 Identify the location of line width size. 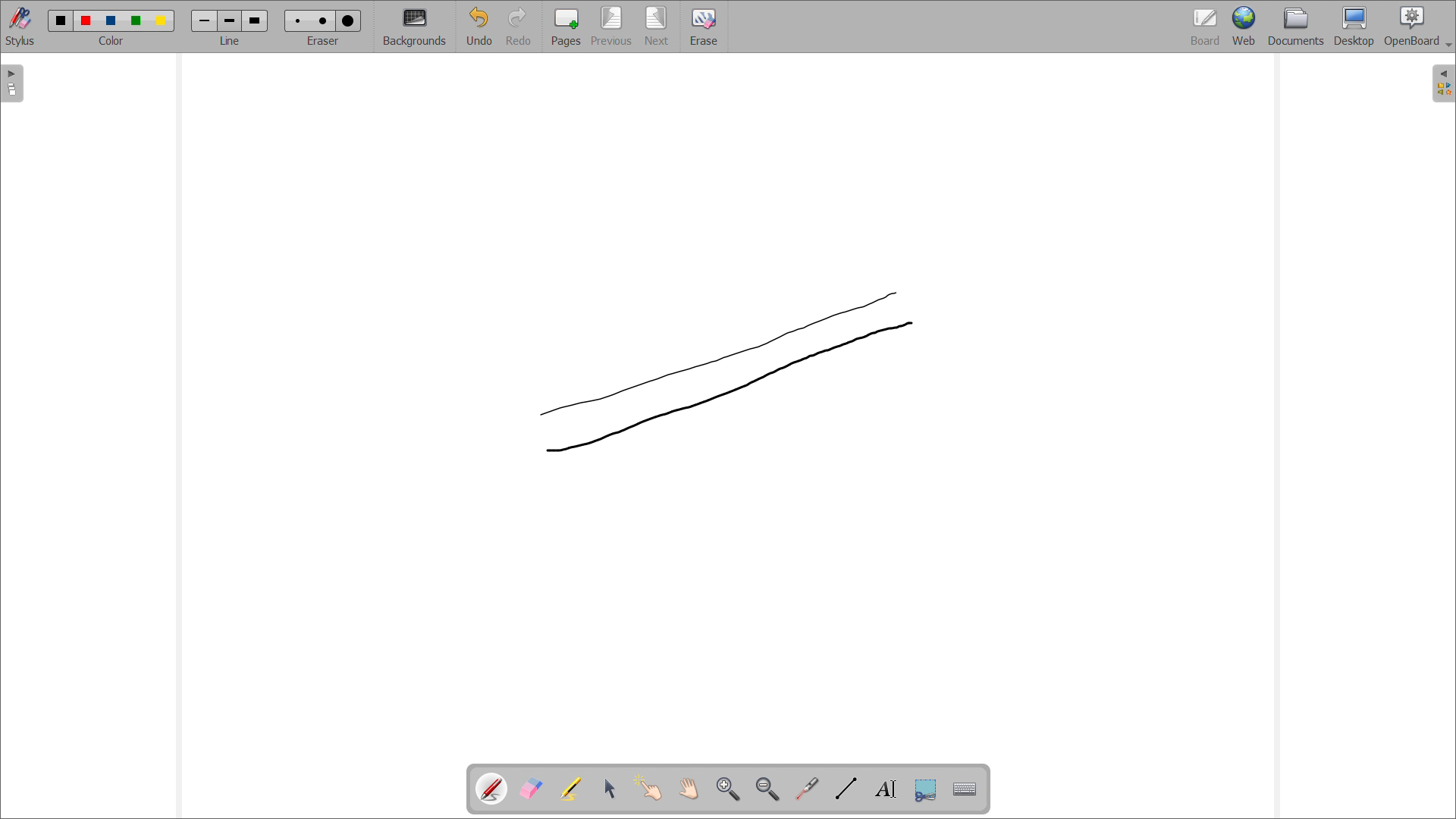
(255, 20).